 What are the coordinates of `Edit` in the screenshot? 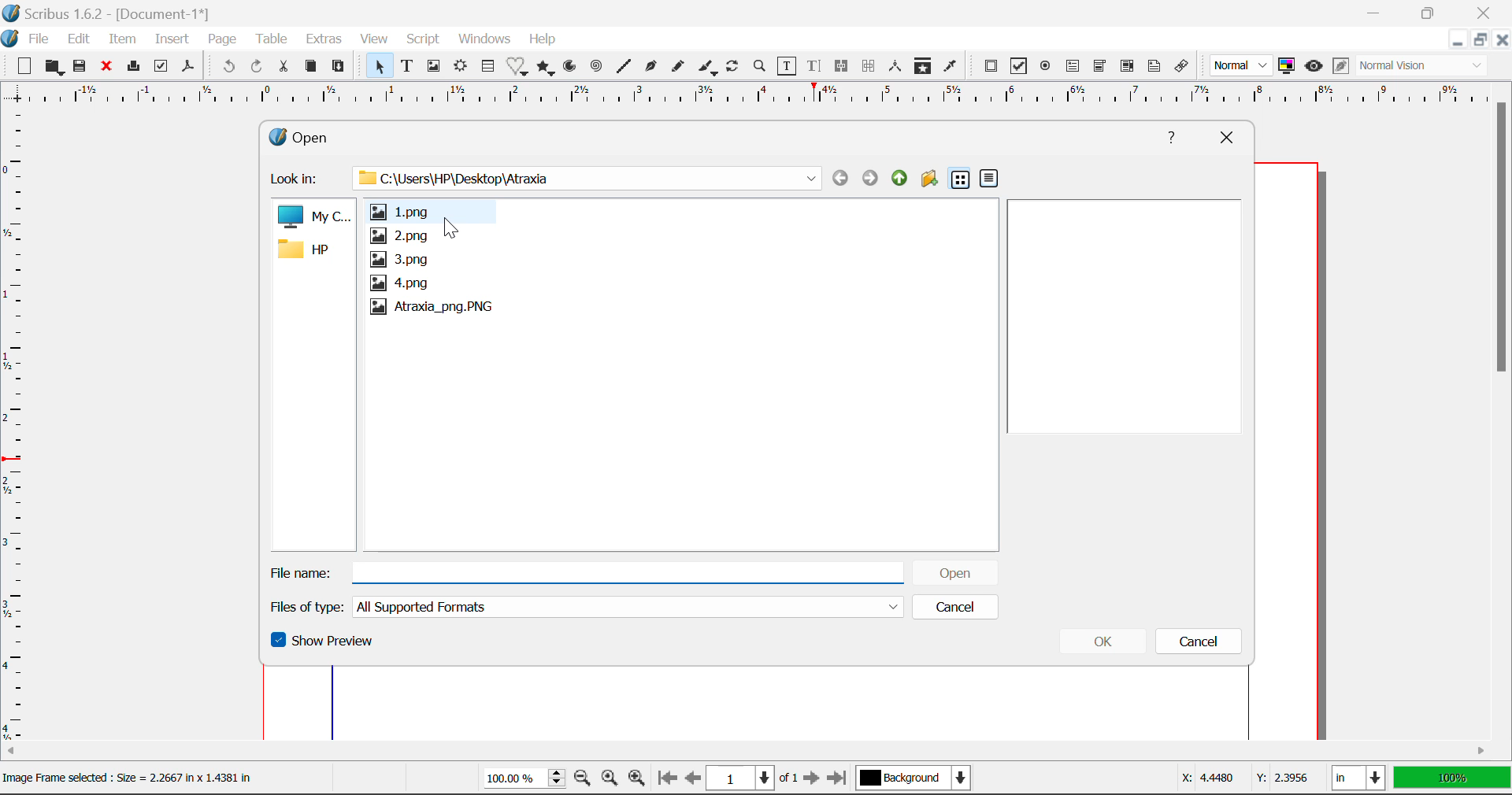 It's located at (79, 39).